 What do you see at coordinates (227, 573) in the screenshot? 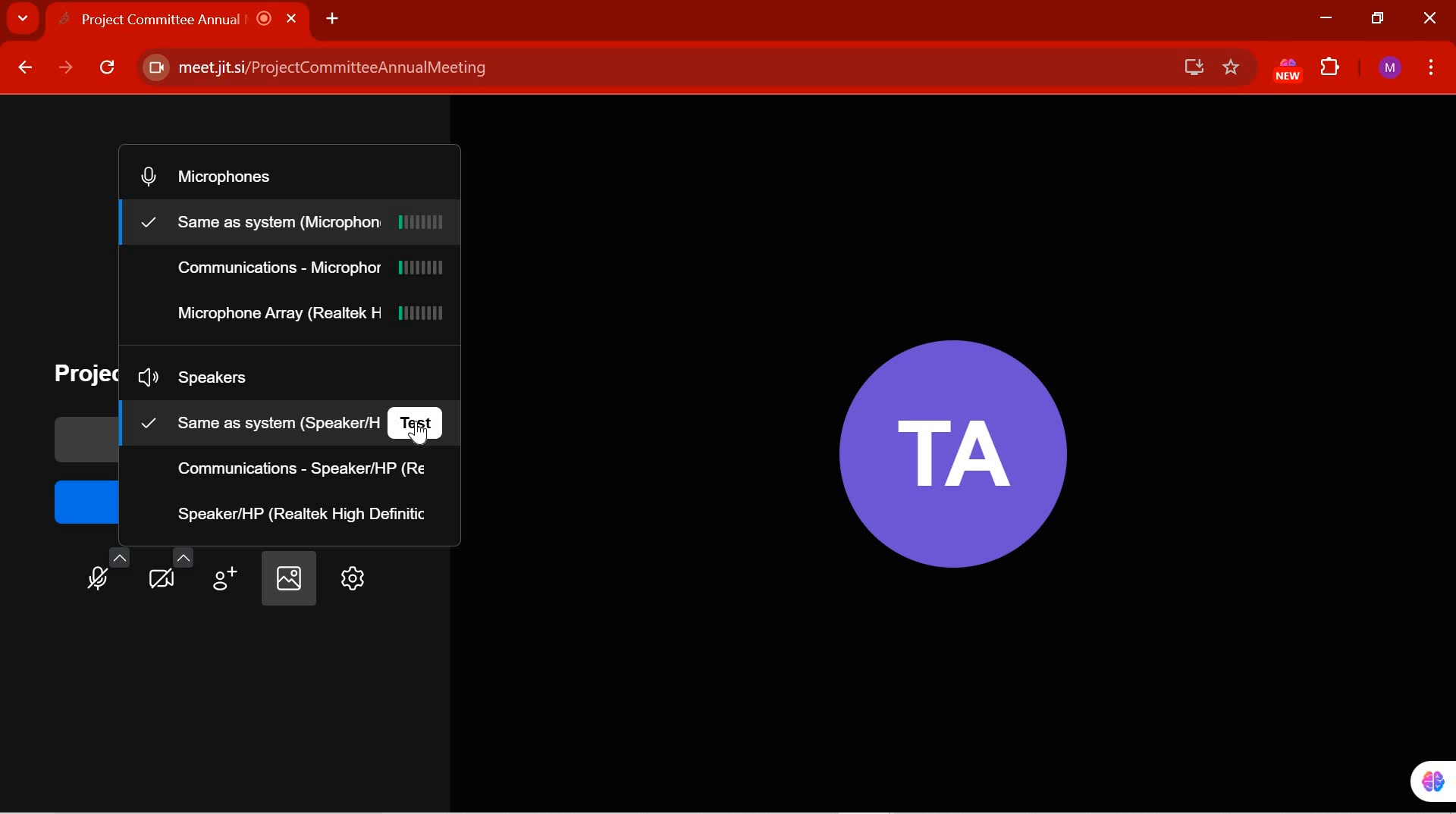
I see `invite people` at bounding box center [227, 573].